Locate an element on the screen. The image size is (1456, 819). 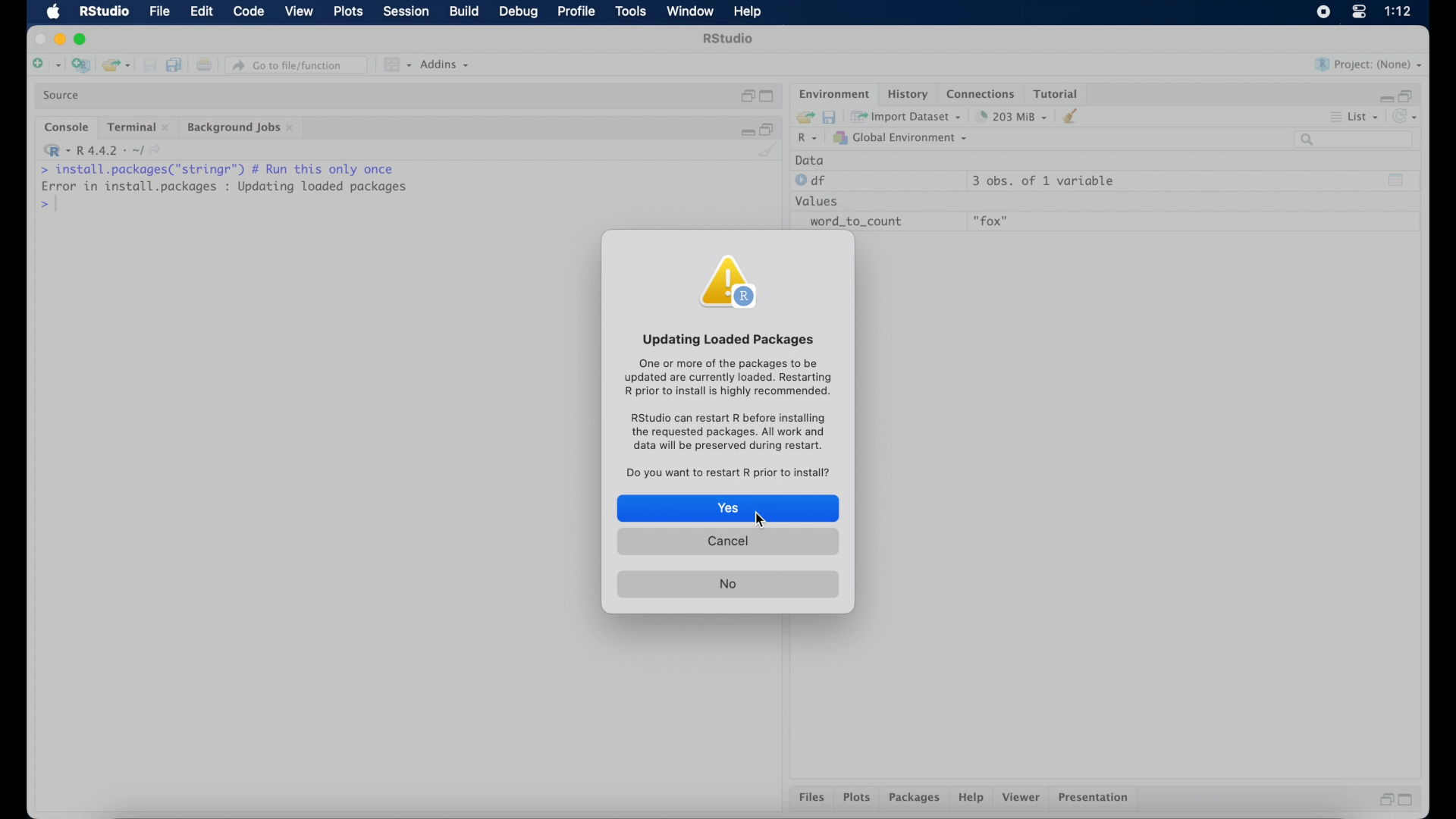
fox is located at coordinates (992, 221).